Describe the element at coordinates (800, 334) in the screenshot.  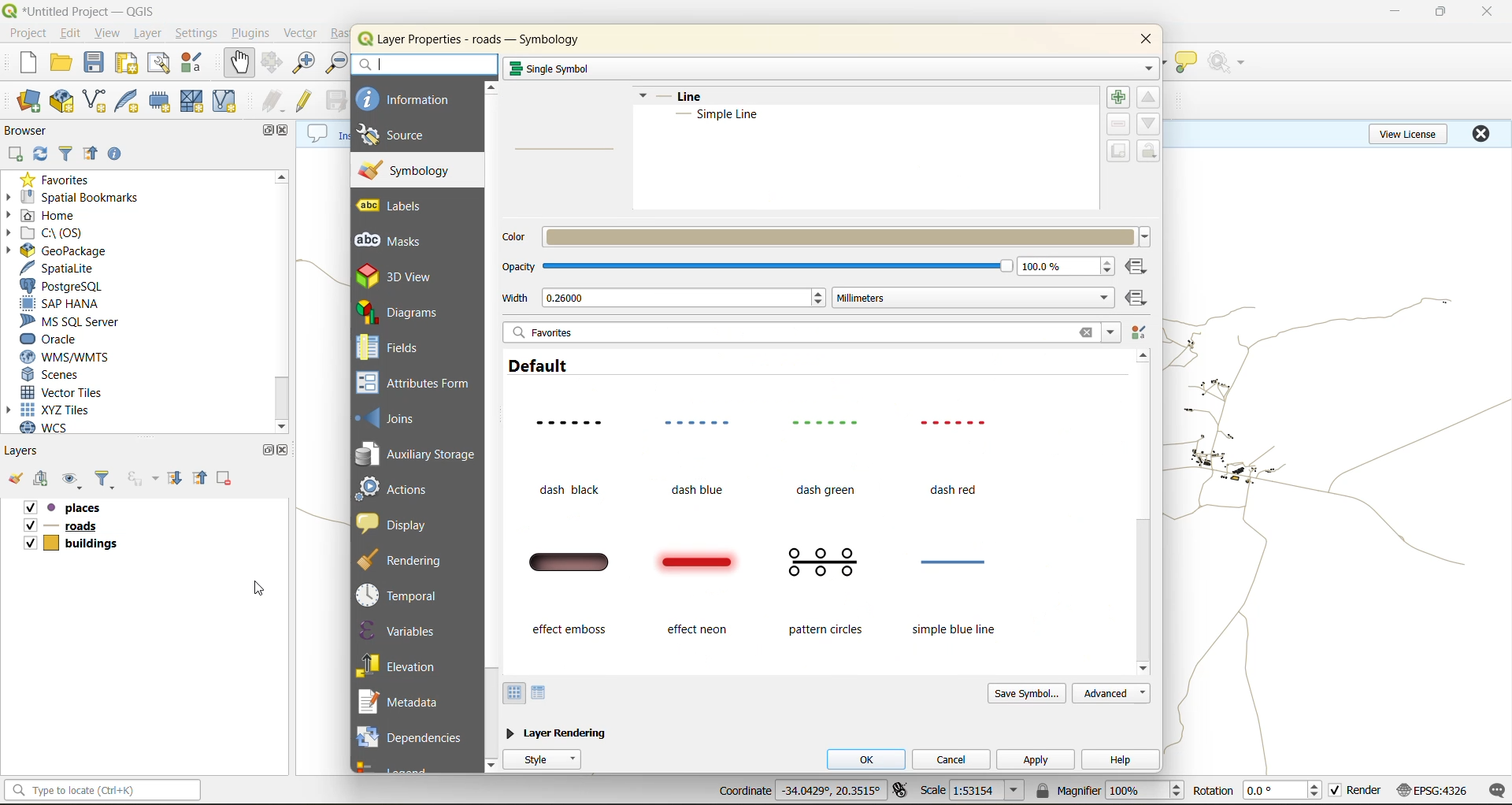
I see `favorites` at that location.